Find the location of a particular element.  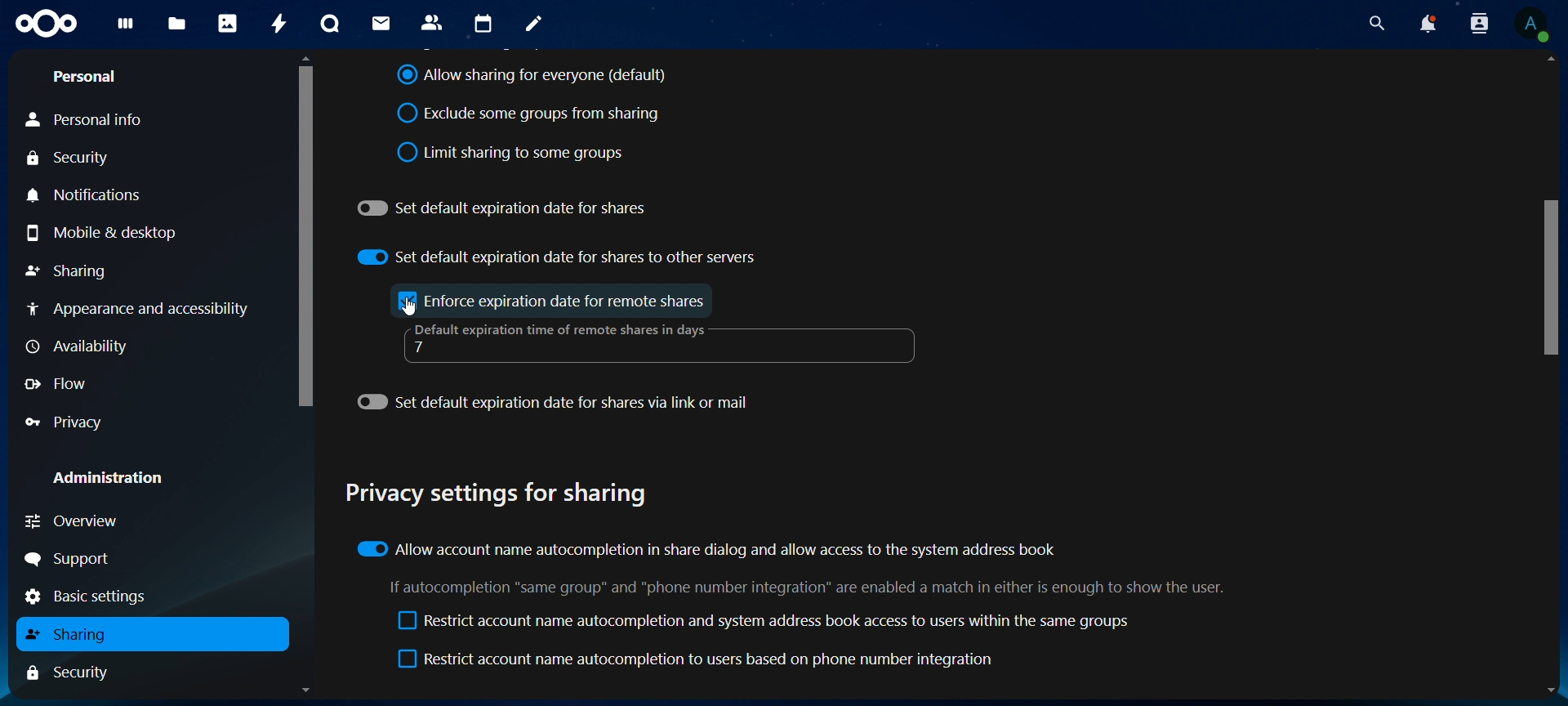

basic settings is located at coordinates (92, 597).